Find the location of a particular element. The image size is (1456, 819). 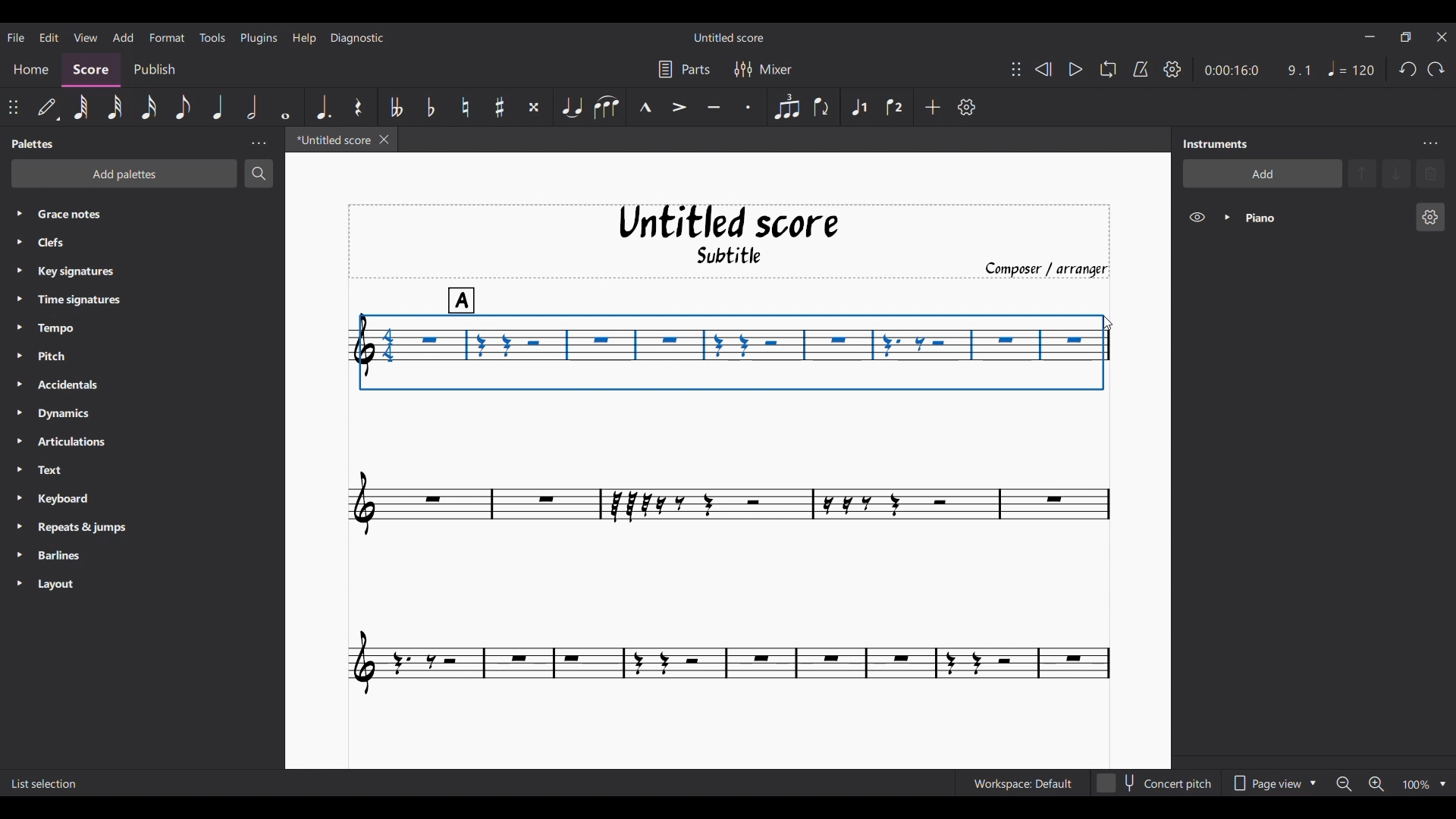

Layout is located at coordinates (79, 585).